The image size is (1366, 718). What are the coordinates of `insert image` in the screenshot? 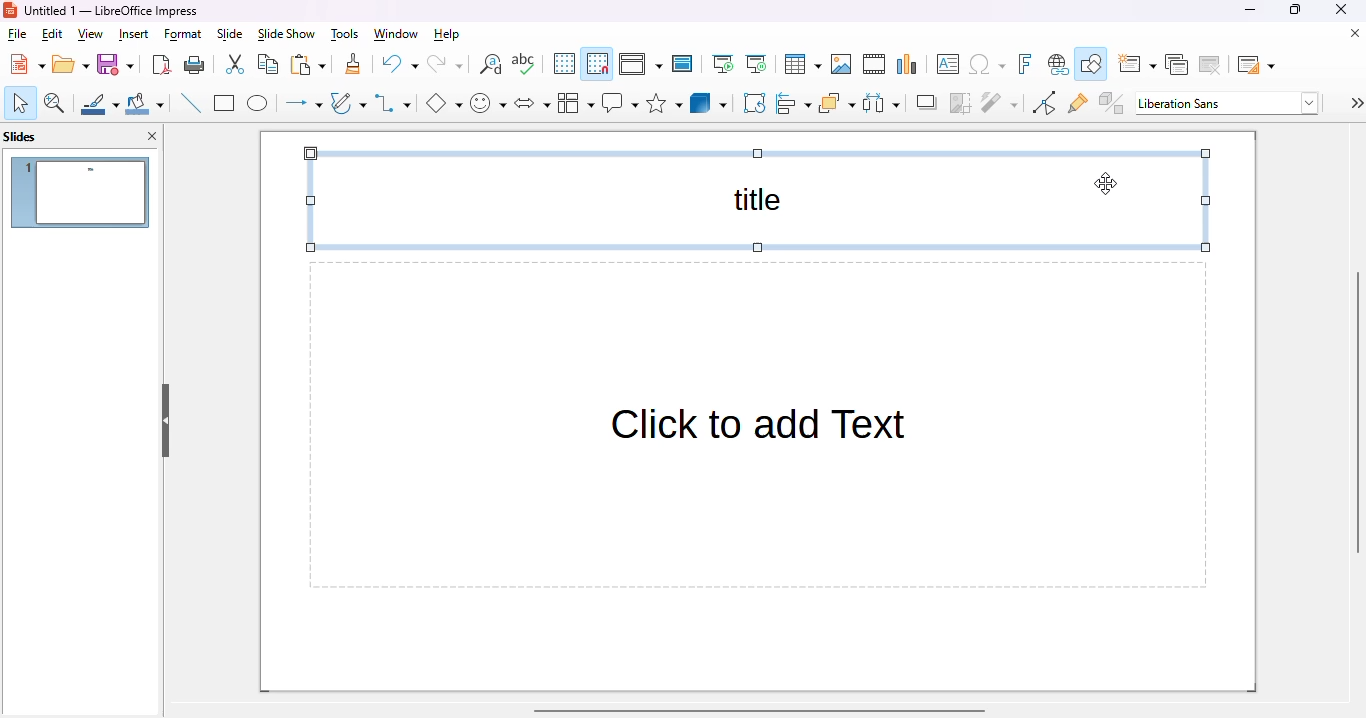 It's located at (841, 64).